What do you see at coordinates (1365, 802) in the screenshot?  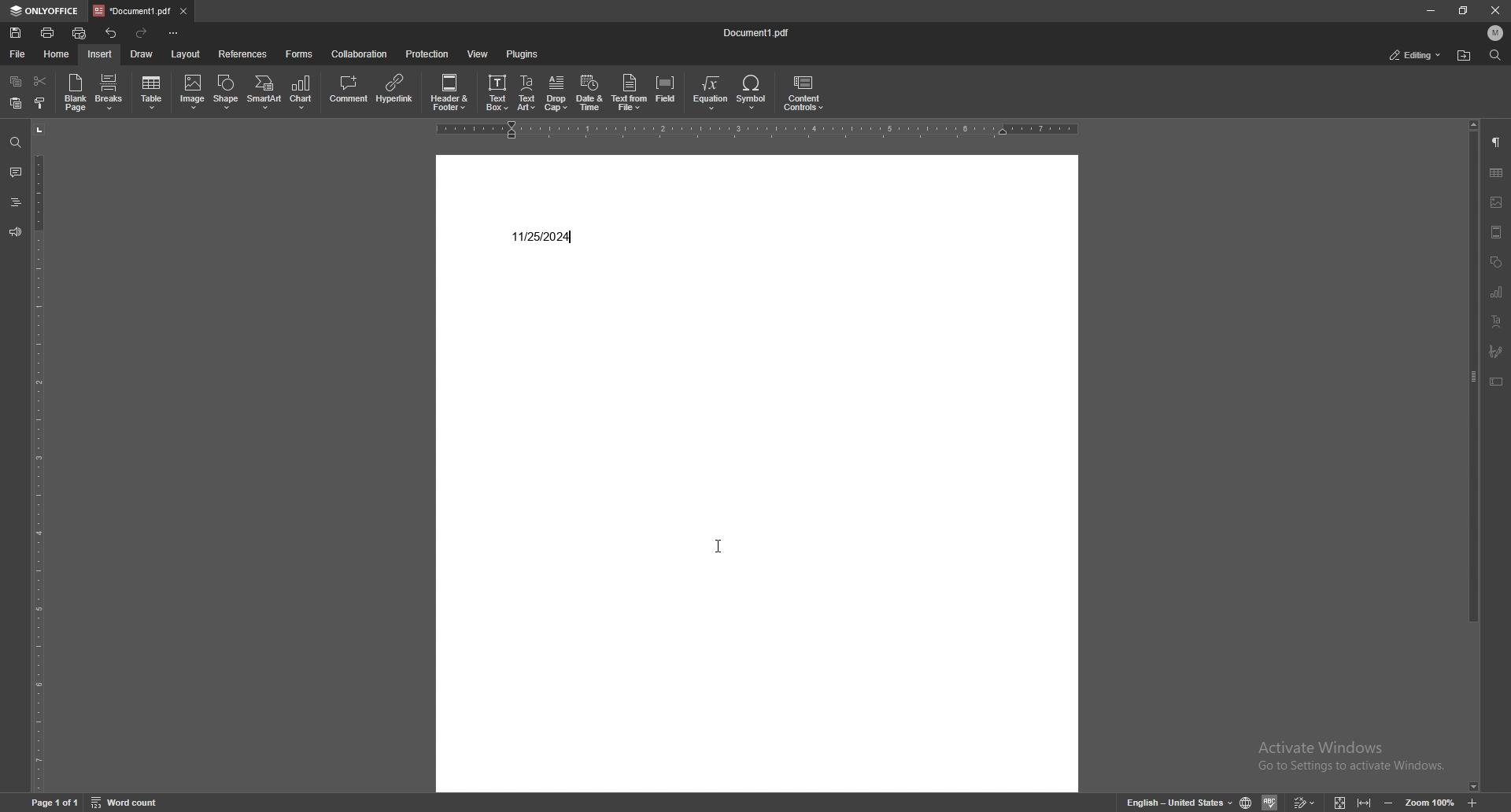 I see `fit to width` at bounding box center [1365, 802].